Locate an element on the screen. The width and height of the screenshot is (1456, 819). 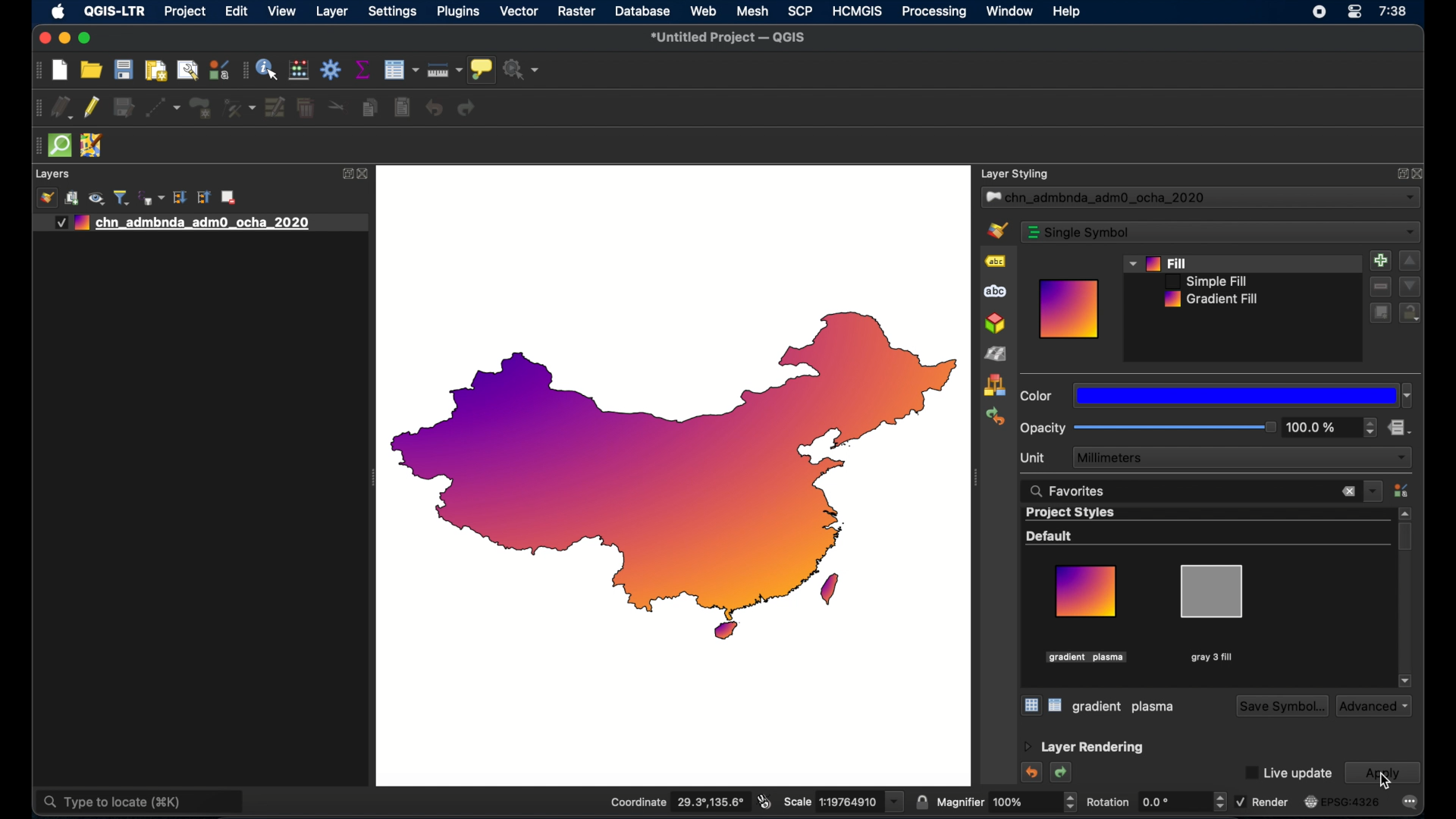
type to locate is located at coordinates (140, 803).